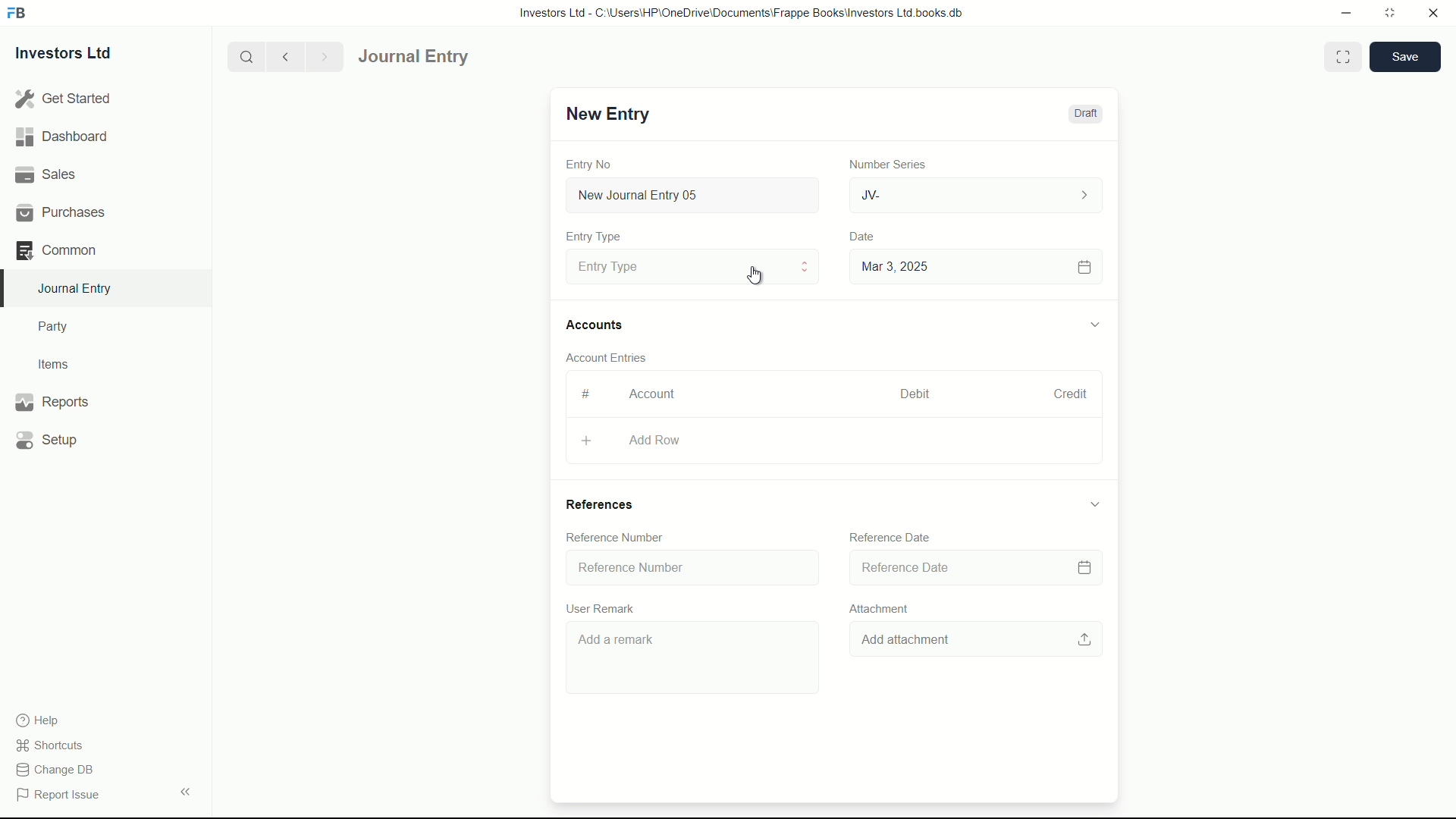 This screenshot has width=1456, height=819. What do you see at coordinates (1342, 11) in the screenshot?
I see `minimize` at bounding box center [1342, 11].